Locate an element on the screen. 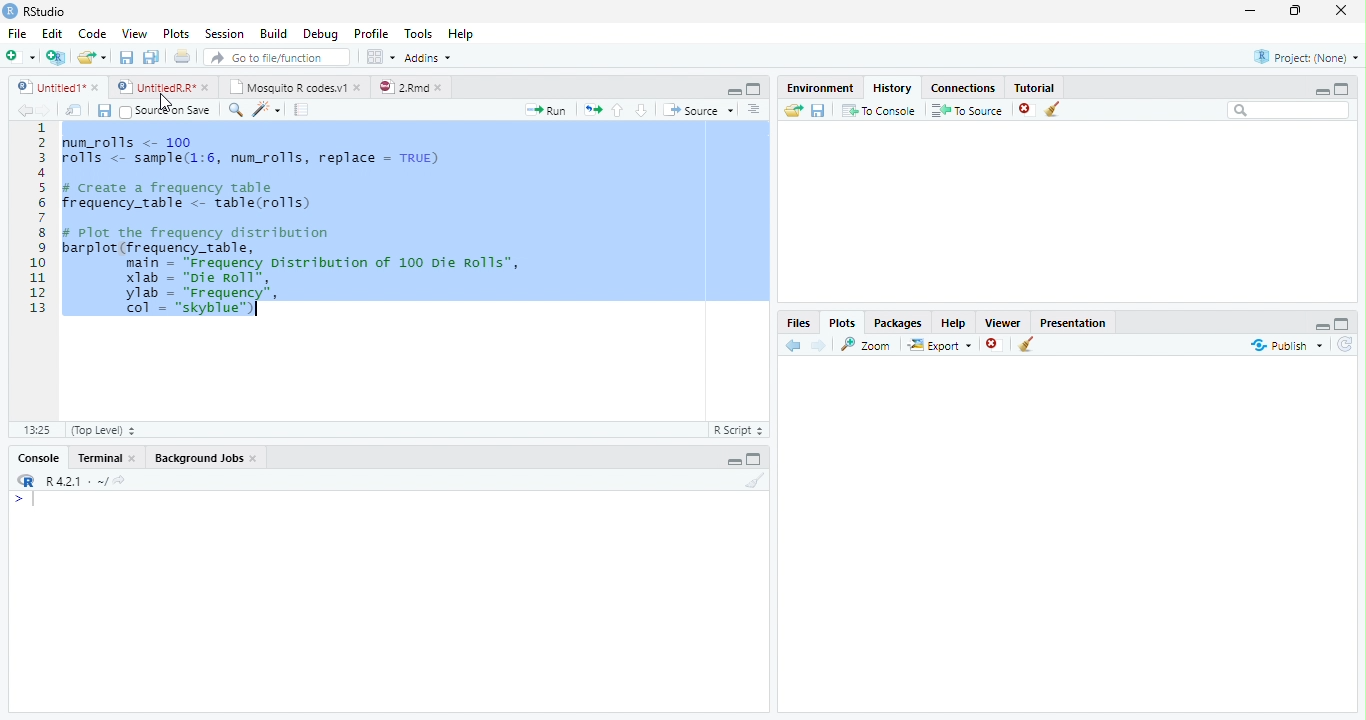 The height and width of the screenshot is (720, 1366). Plots is located at coordinates (843, 321).